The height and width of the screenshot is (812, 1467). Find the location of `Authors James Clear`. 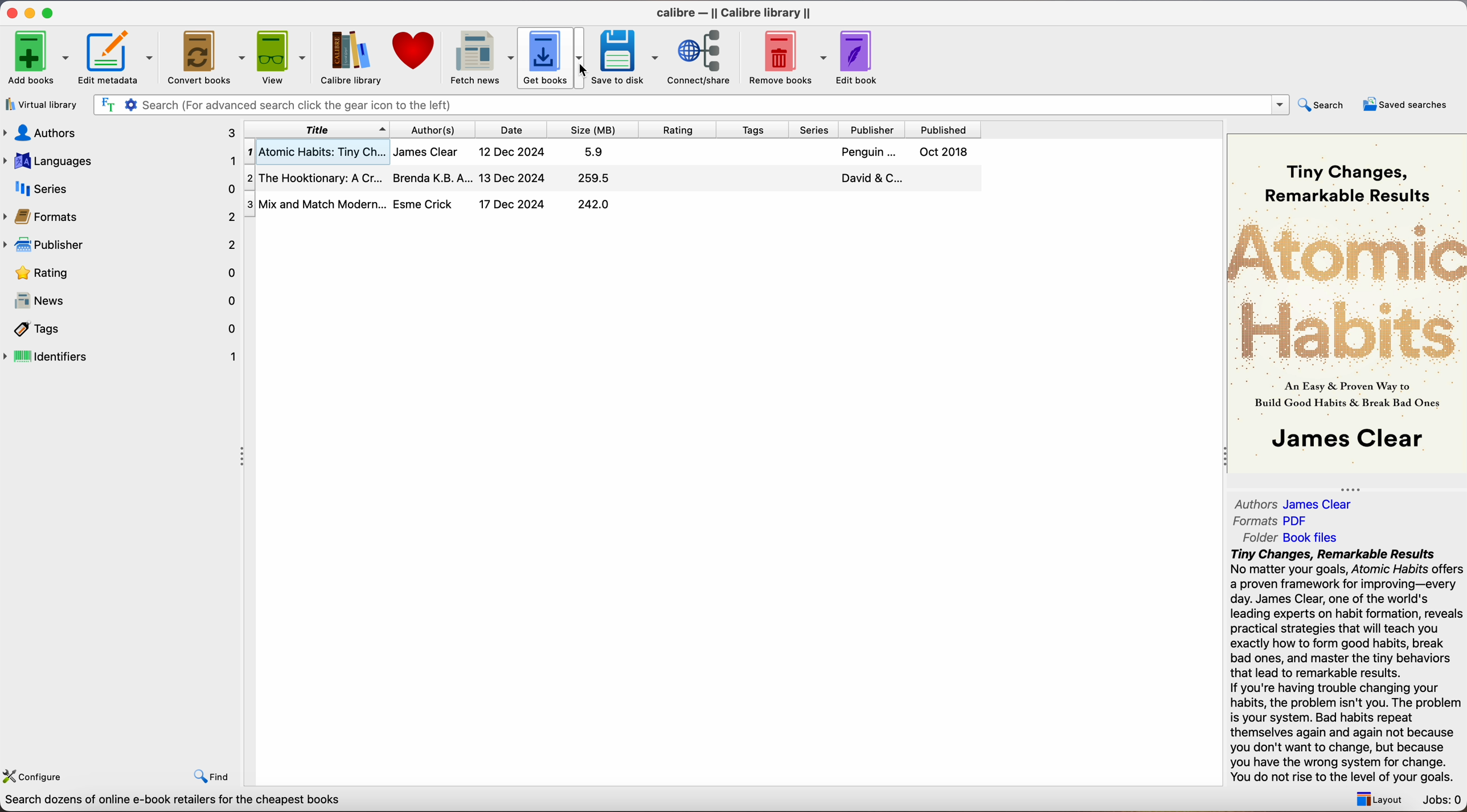

Authors James Clear is located at coordinates (1294, 505).